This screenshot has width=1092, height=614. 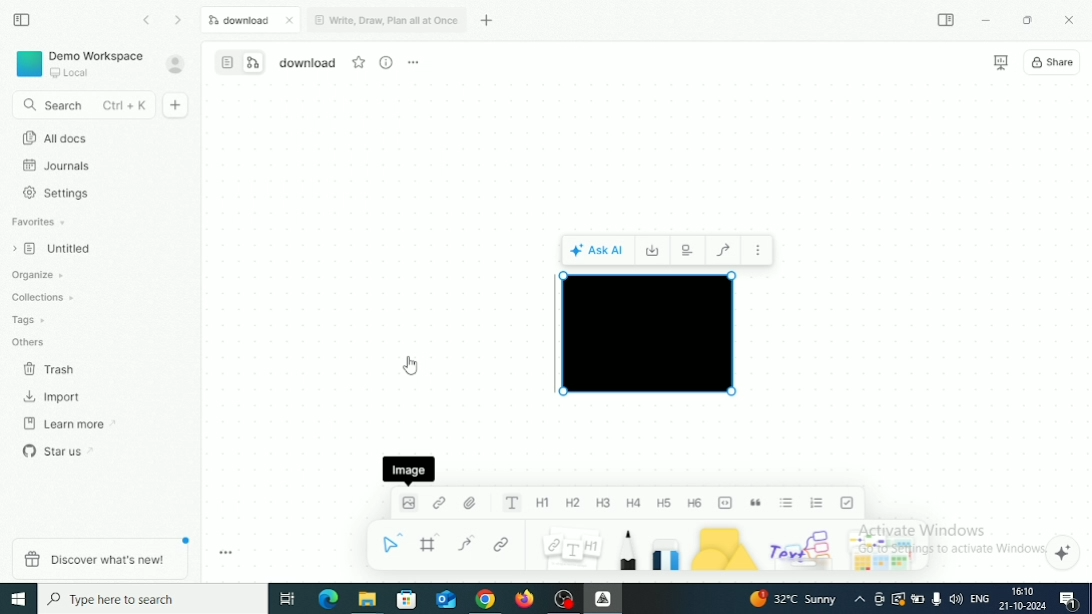 I want to click on Numbered list, so click(x=818, y=503).